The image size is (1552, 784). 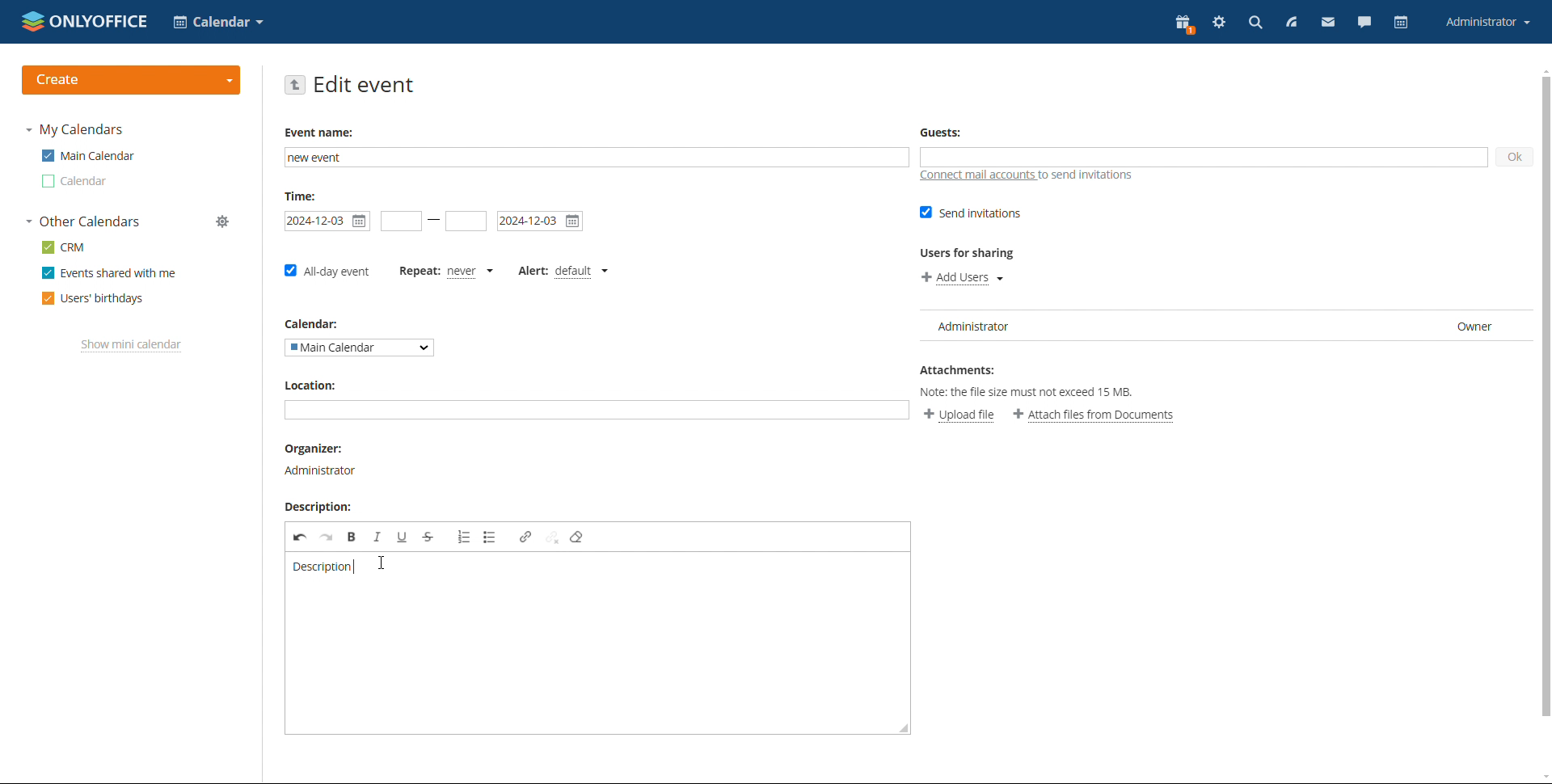 What do you see at coordinates (1327, 23) in the screenshot?
I see `mail` at bounding box center [1327, 23].